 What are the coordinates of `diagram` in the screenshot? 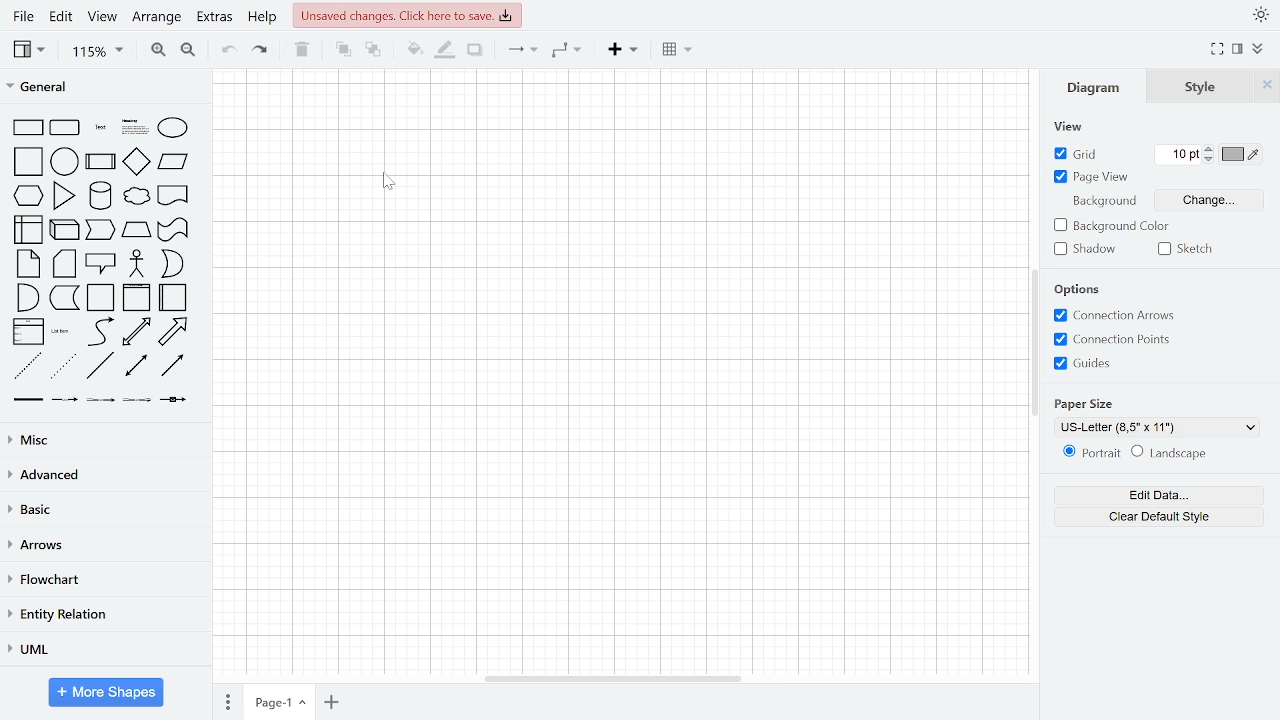 It's located at (1097, 89).